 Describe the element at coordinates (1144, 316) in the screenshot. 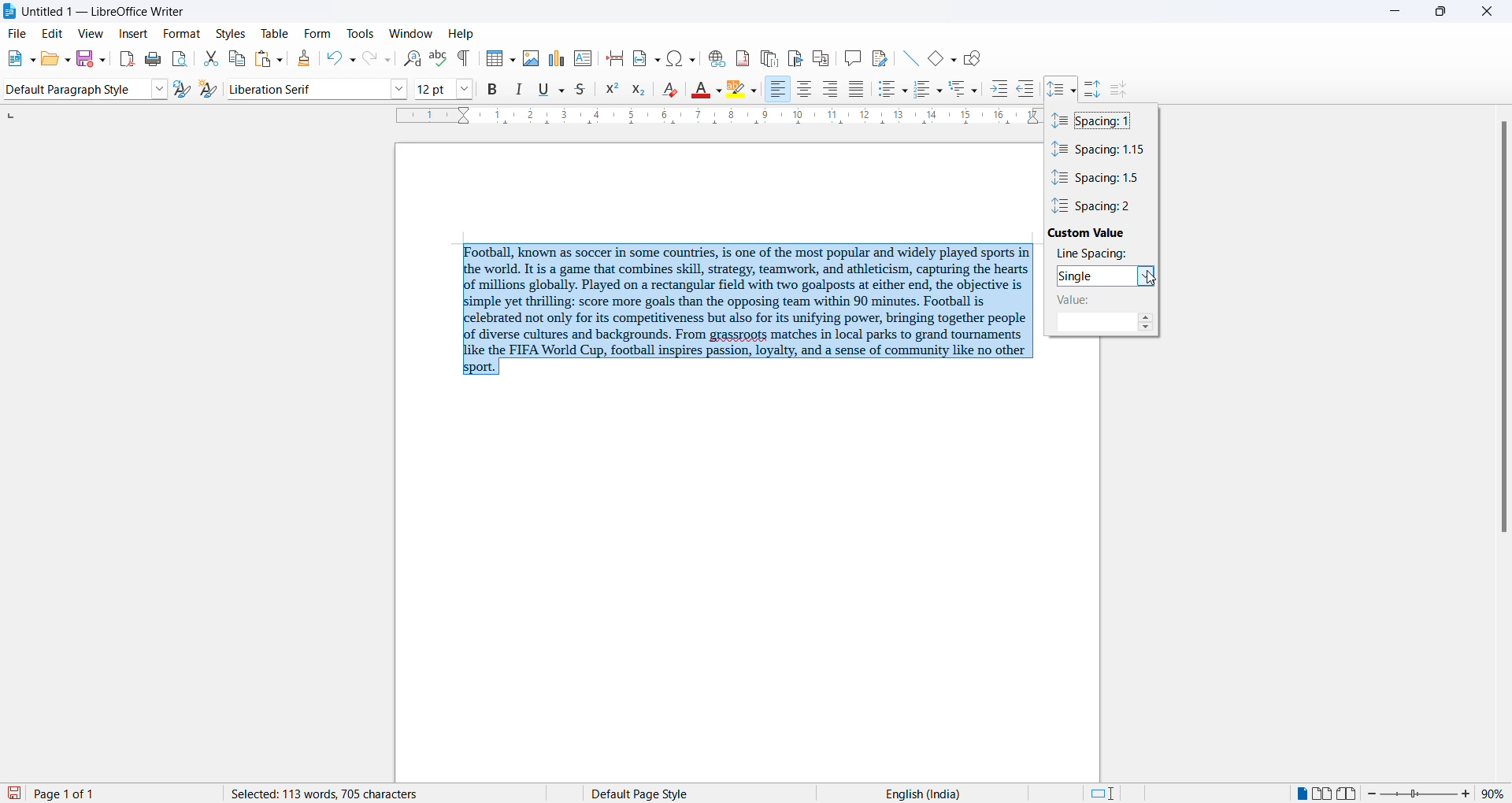

I see `increase spacing` at that location.